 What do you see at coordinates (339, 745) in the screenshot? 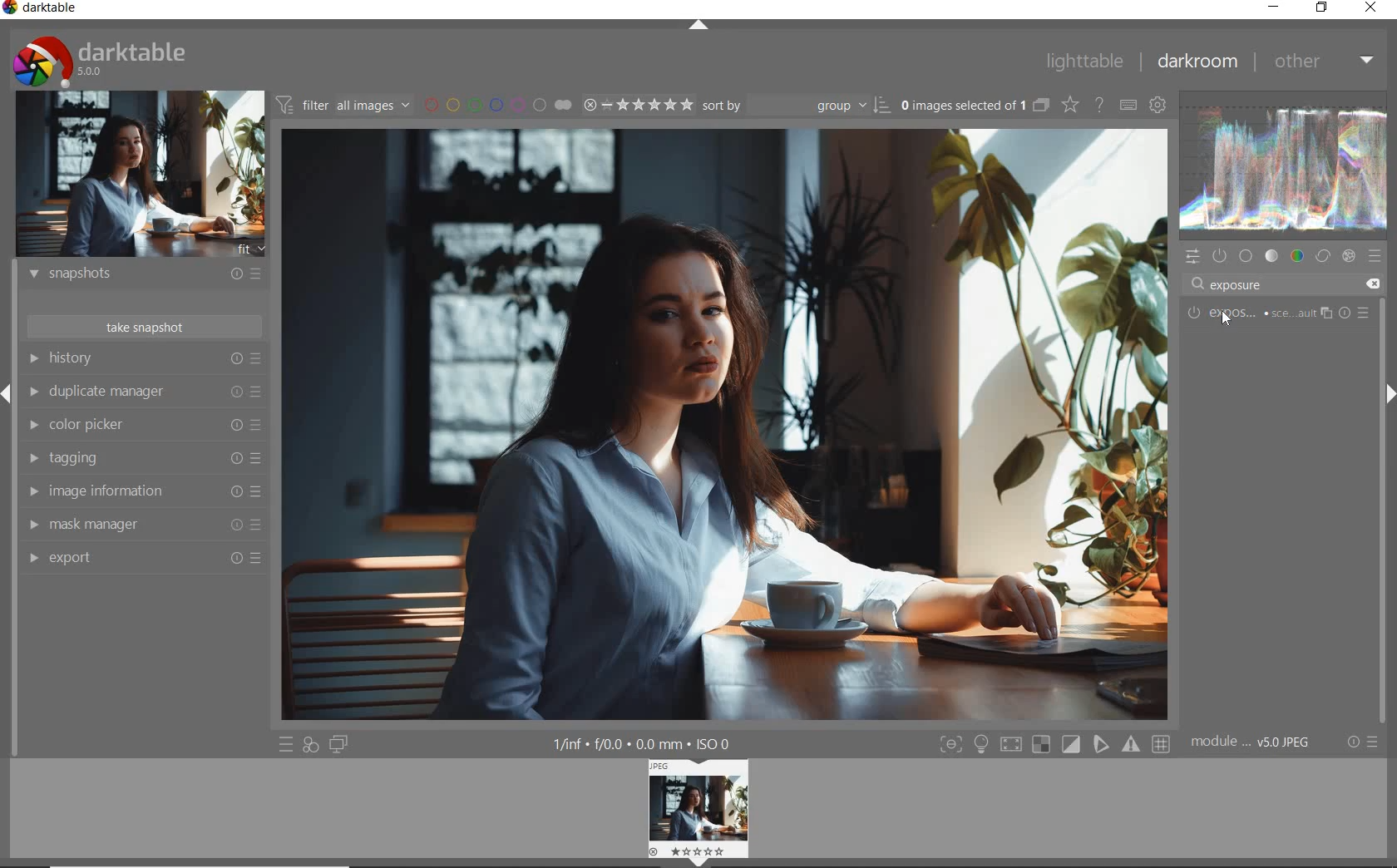
I see `display a second darkroom image below` at bounding box center [339, 745].